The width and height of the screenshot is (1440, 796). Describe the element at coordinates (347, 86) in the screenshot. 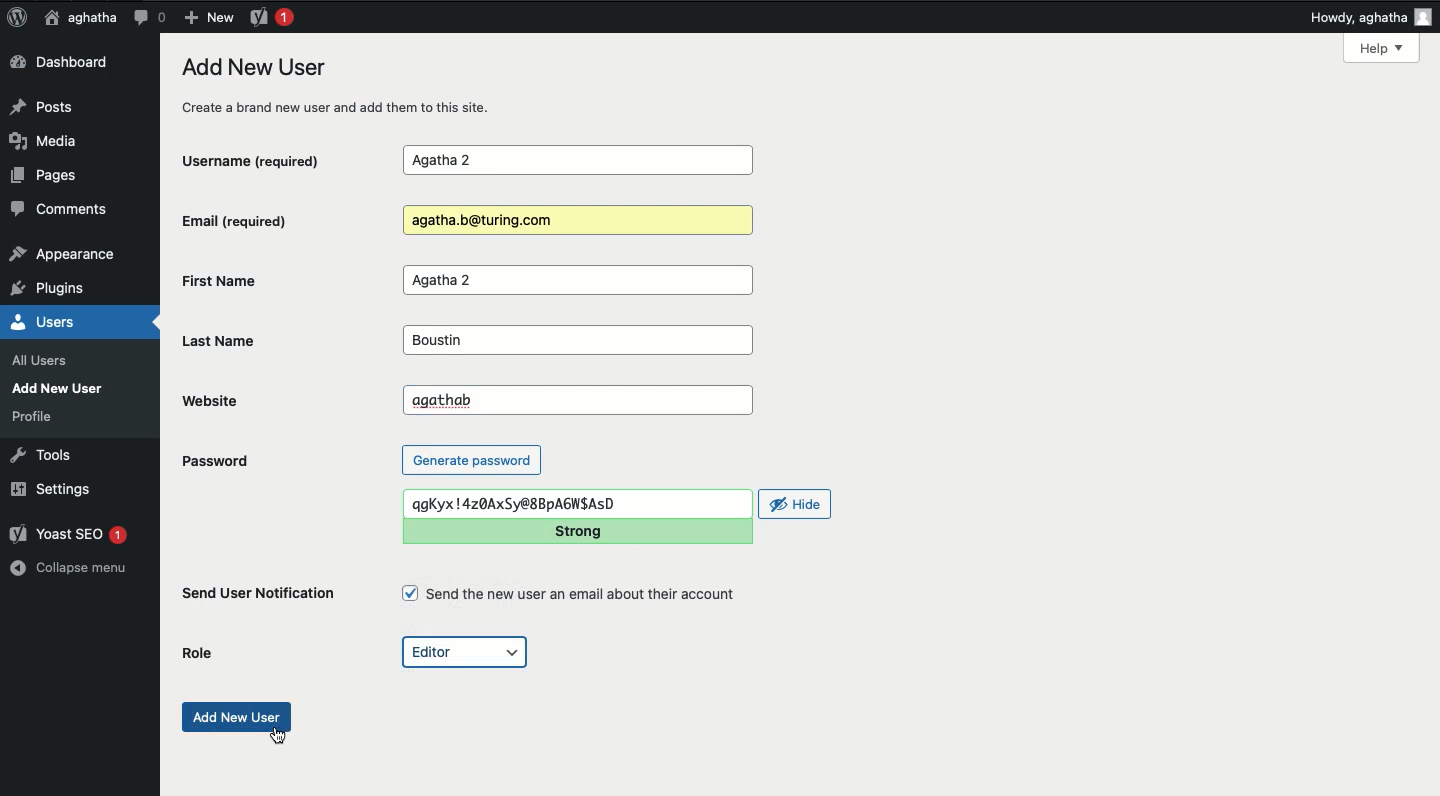

I see `Add new user create a bran new user and add them to this site.` at that location.